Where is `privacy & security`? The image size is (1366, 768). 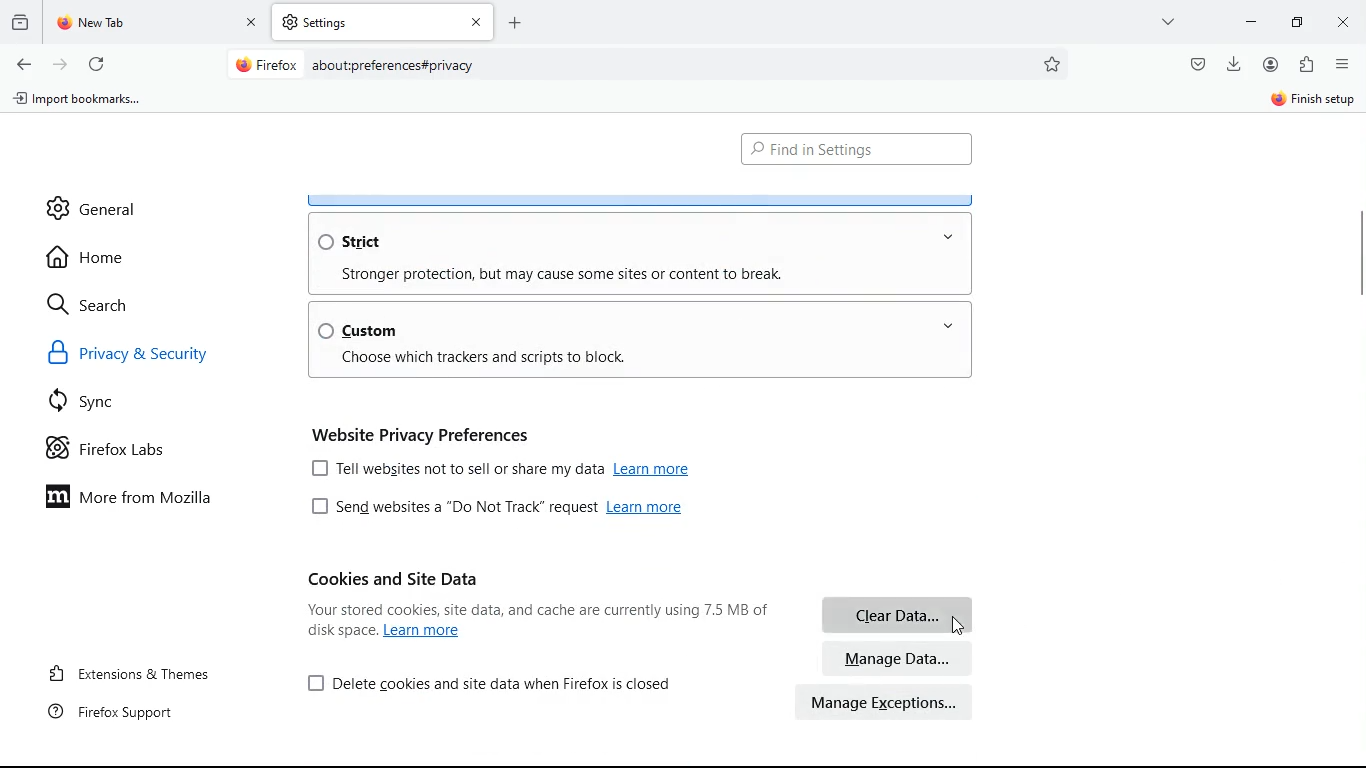
privacy & security is located at coordinates (153, 357).